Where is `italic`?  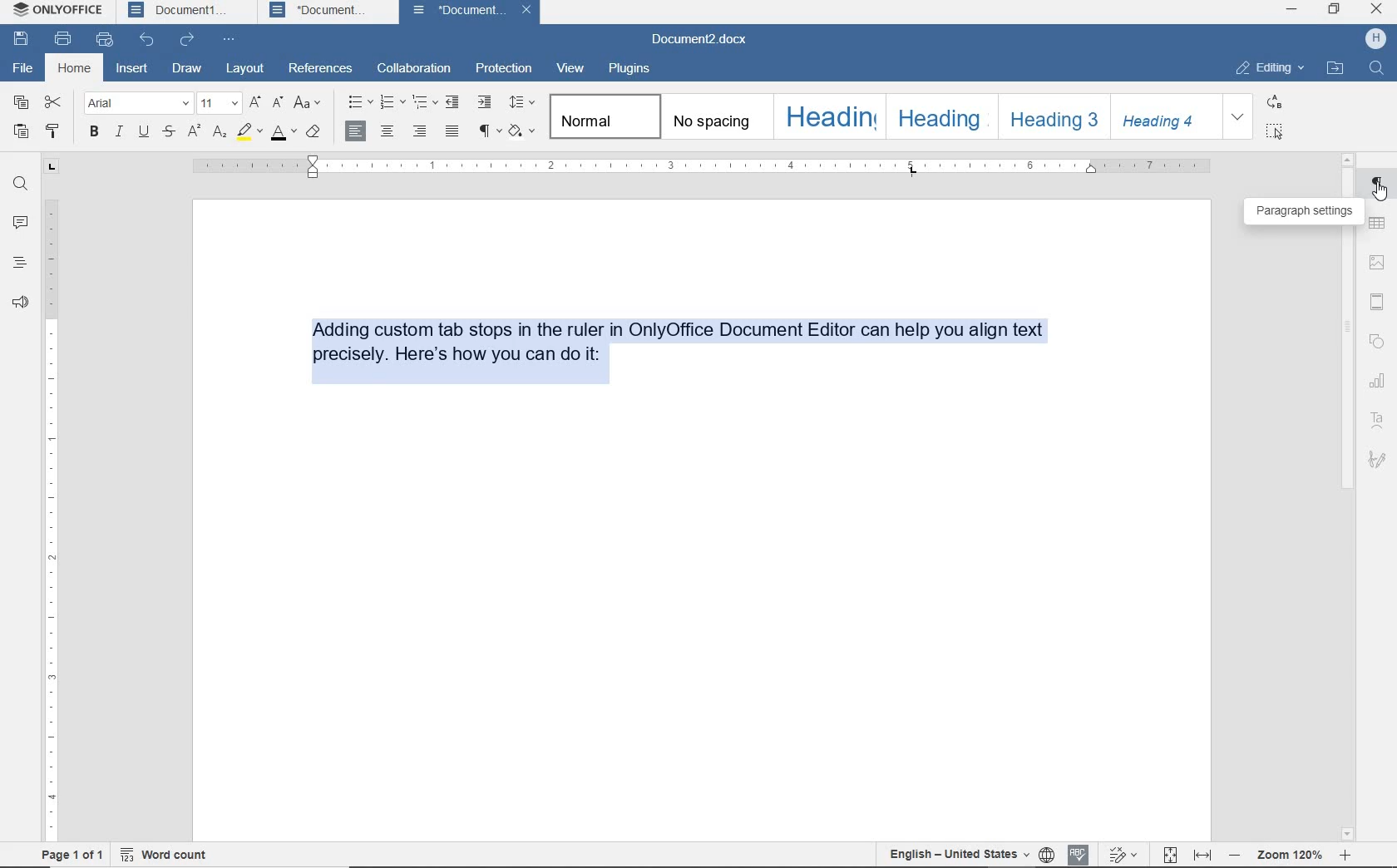
italic is located at coordinates (120, 133).